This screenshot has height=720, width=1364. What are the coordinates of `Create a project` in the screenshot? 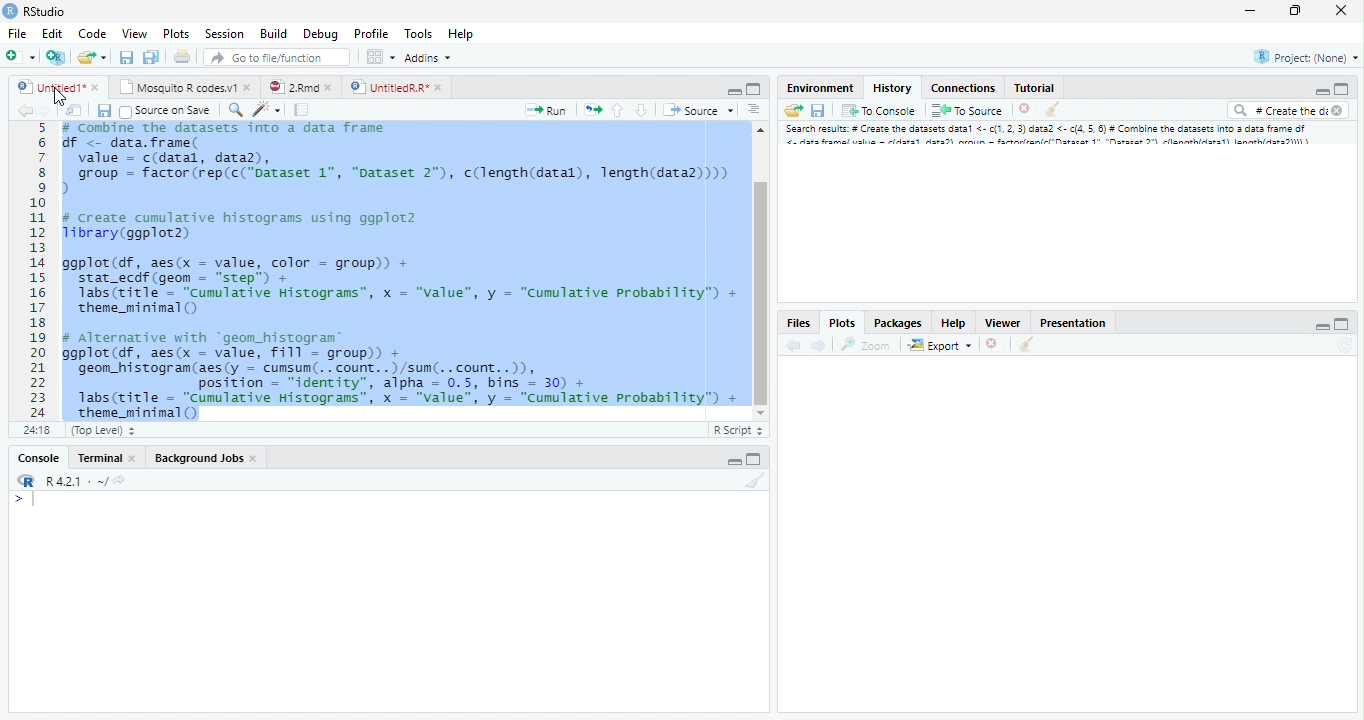 It's located at (56, 55).